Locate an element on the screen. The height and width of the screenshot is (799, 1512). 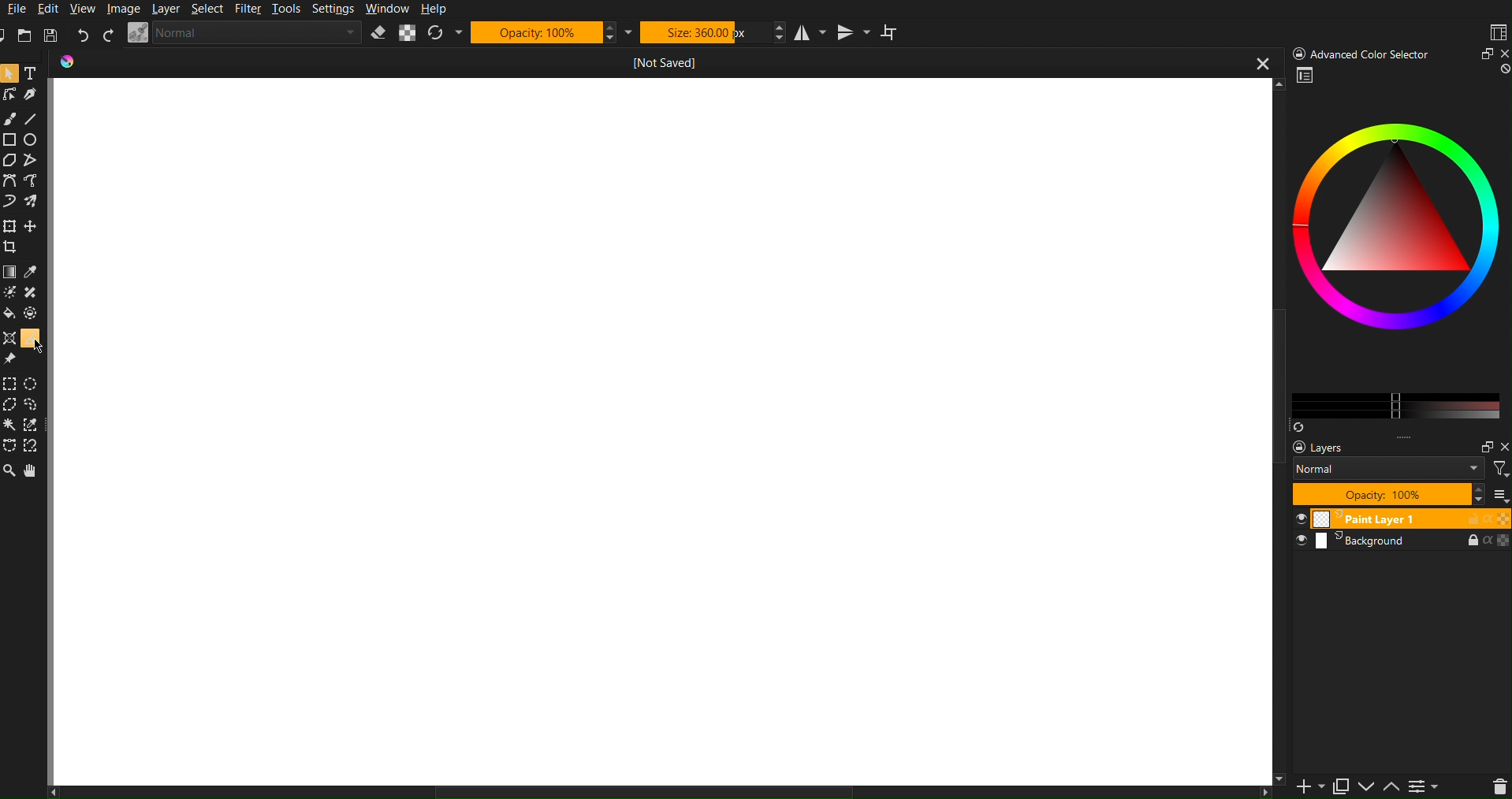
Size is located at coordinates (712, 32).